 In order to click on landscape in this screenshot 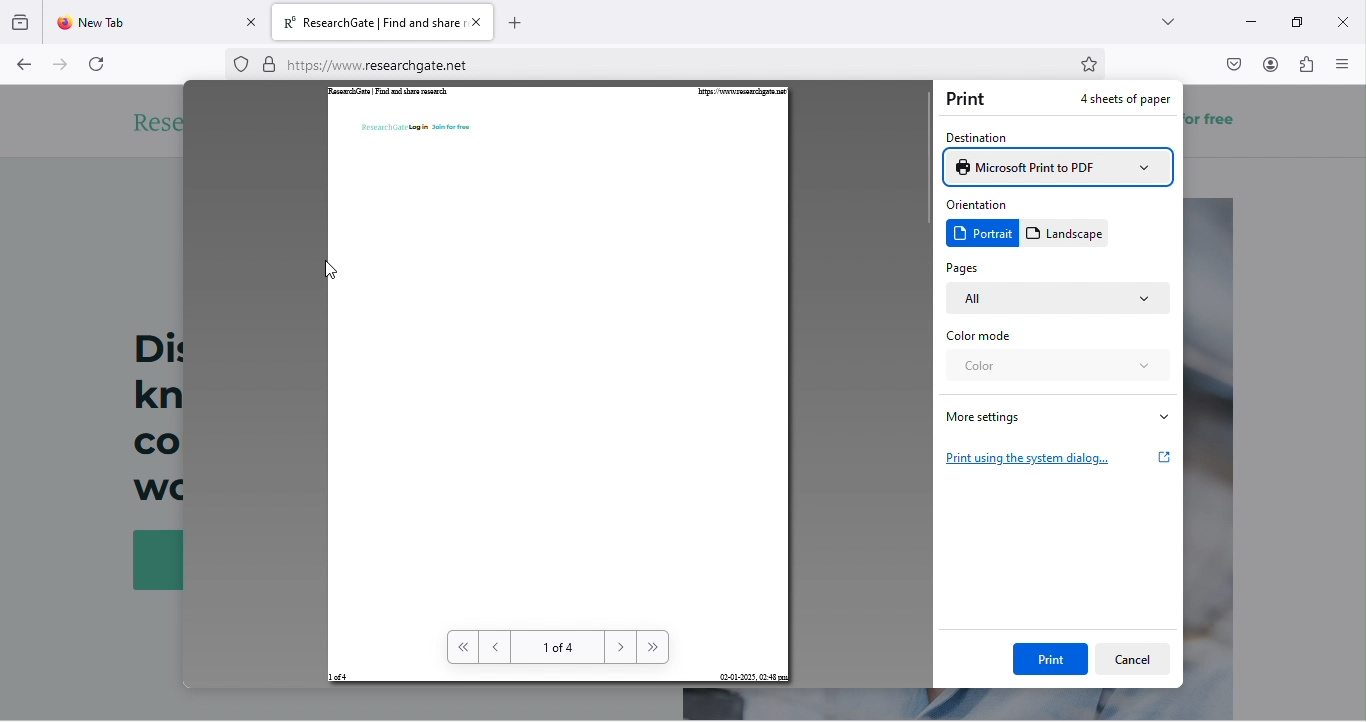, I will do `click(1071, 233)`.